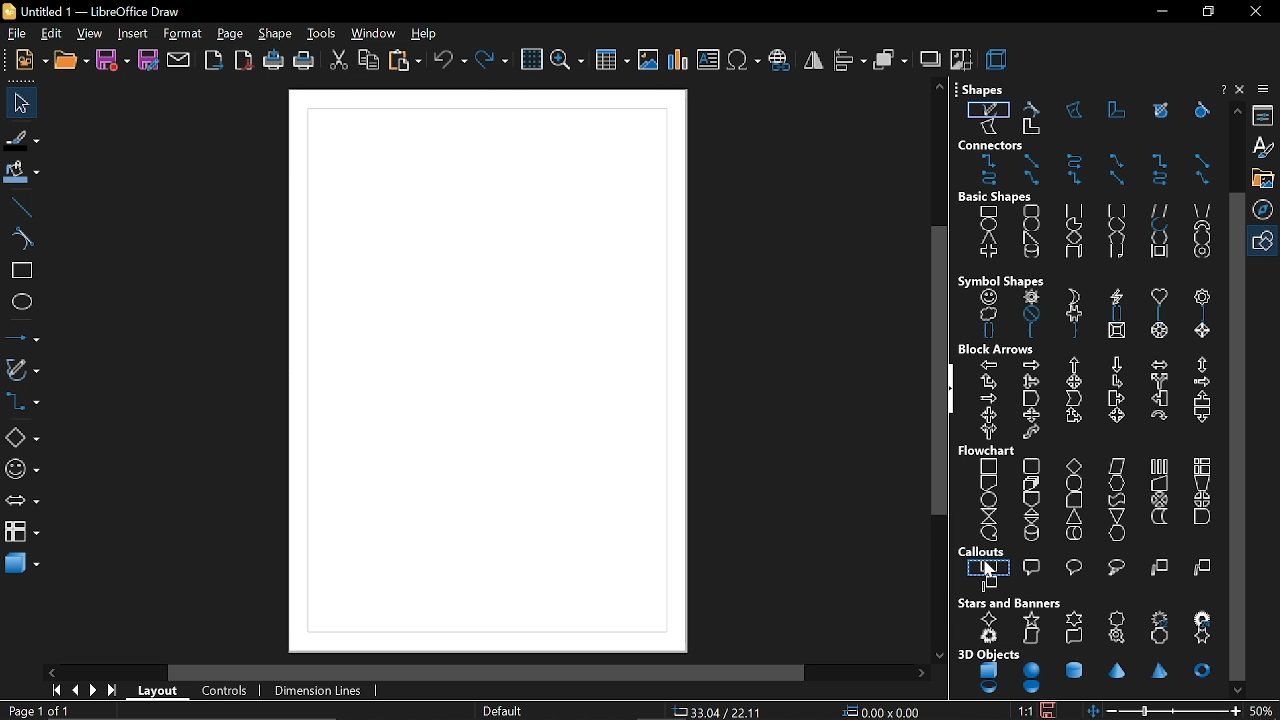 The height and width of the screenshot is (720, 1280). I want to click on file, so click(16, 33).